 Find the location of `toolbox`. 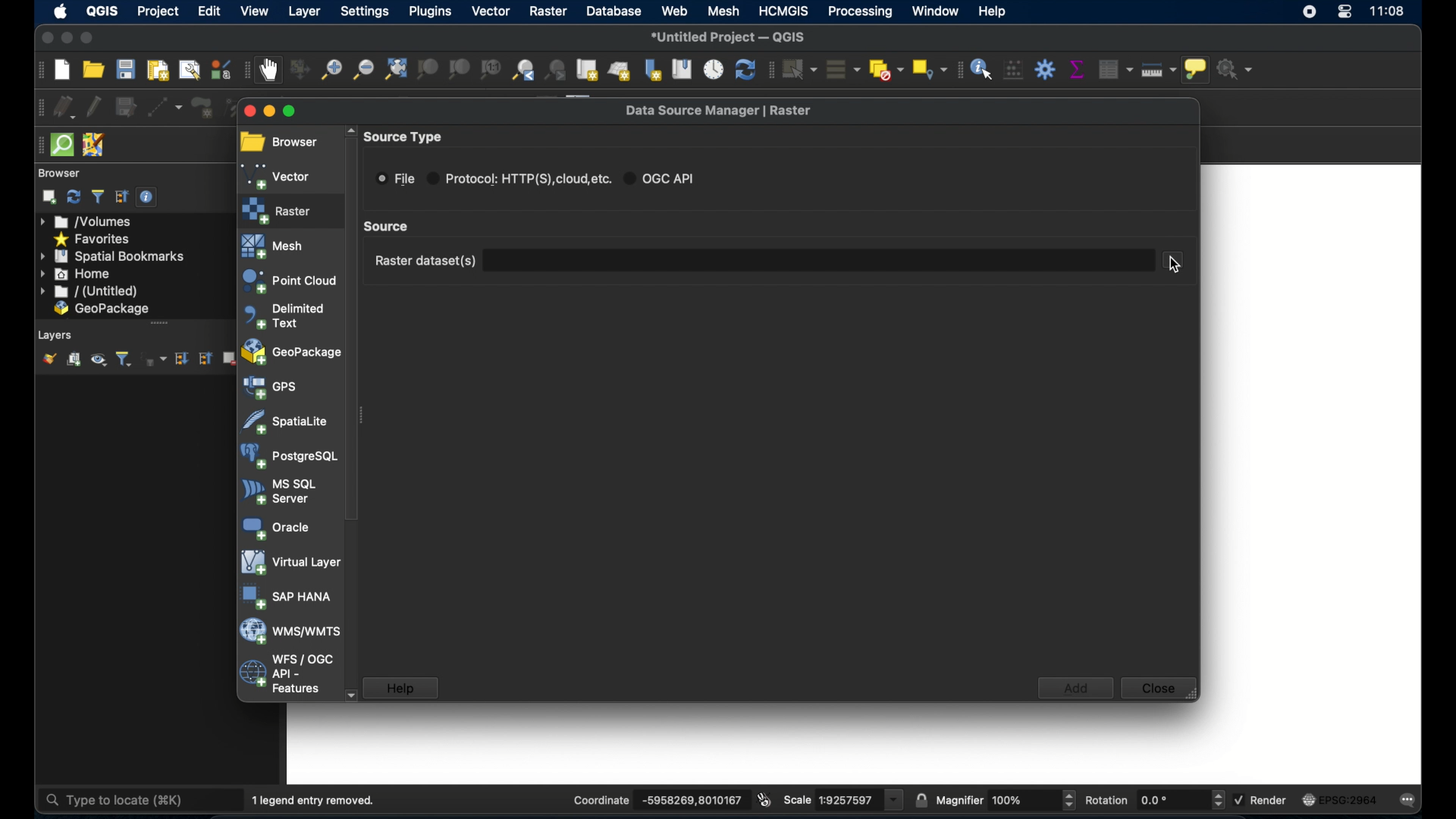

toolbox is located at coordinates (1046, 69).